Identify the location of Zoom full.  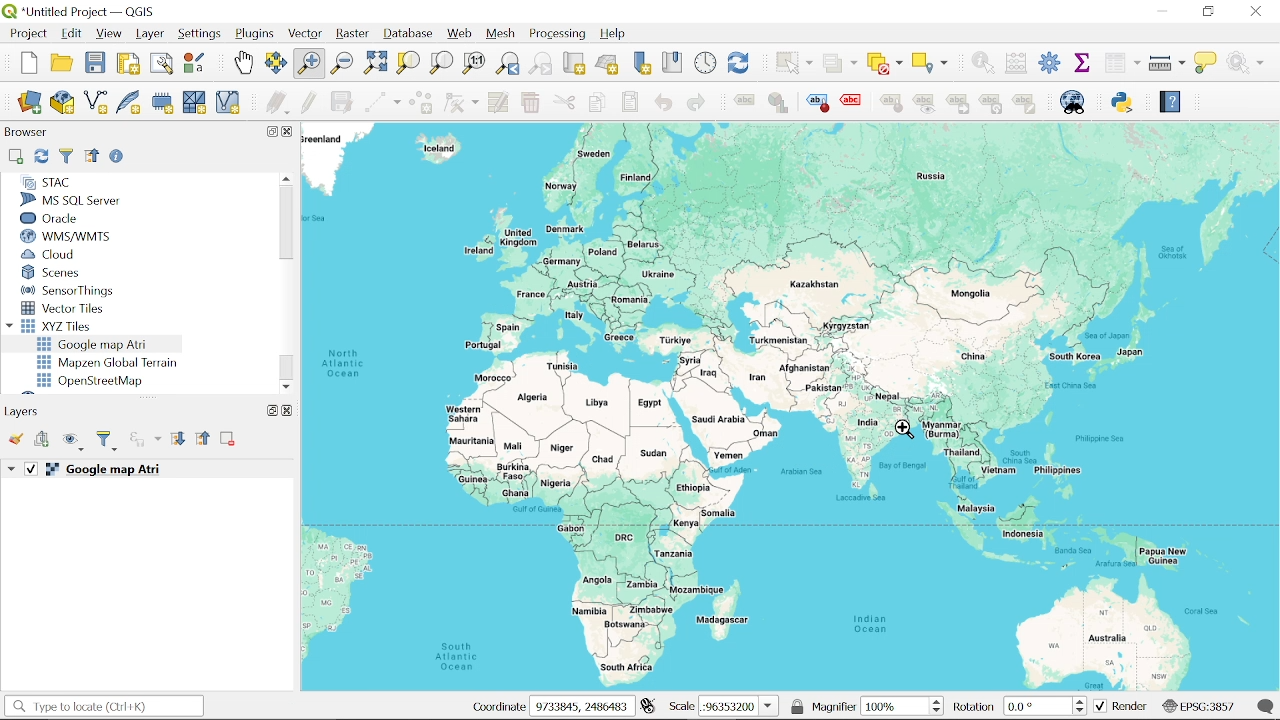
(375, 64).